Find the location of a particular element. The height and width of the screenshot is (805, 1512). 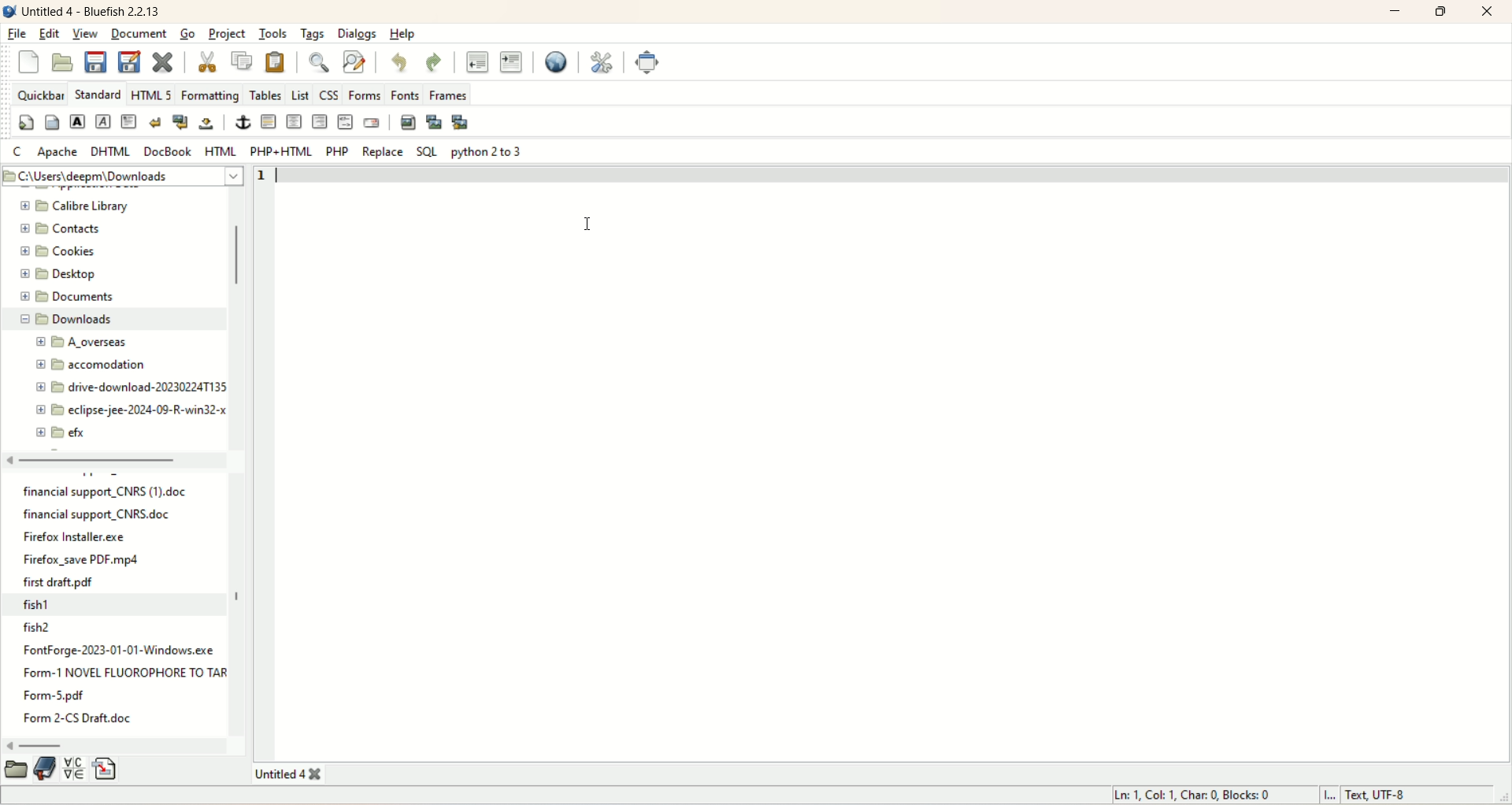

strong is located at coordinates (80, 121).